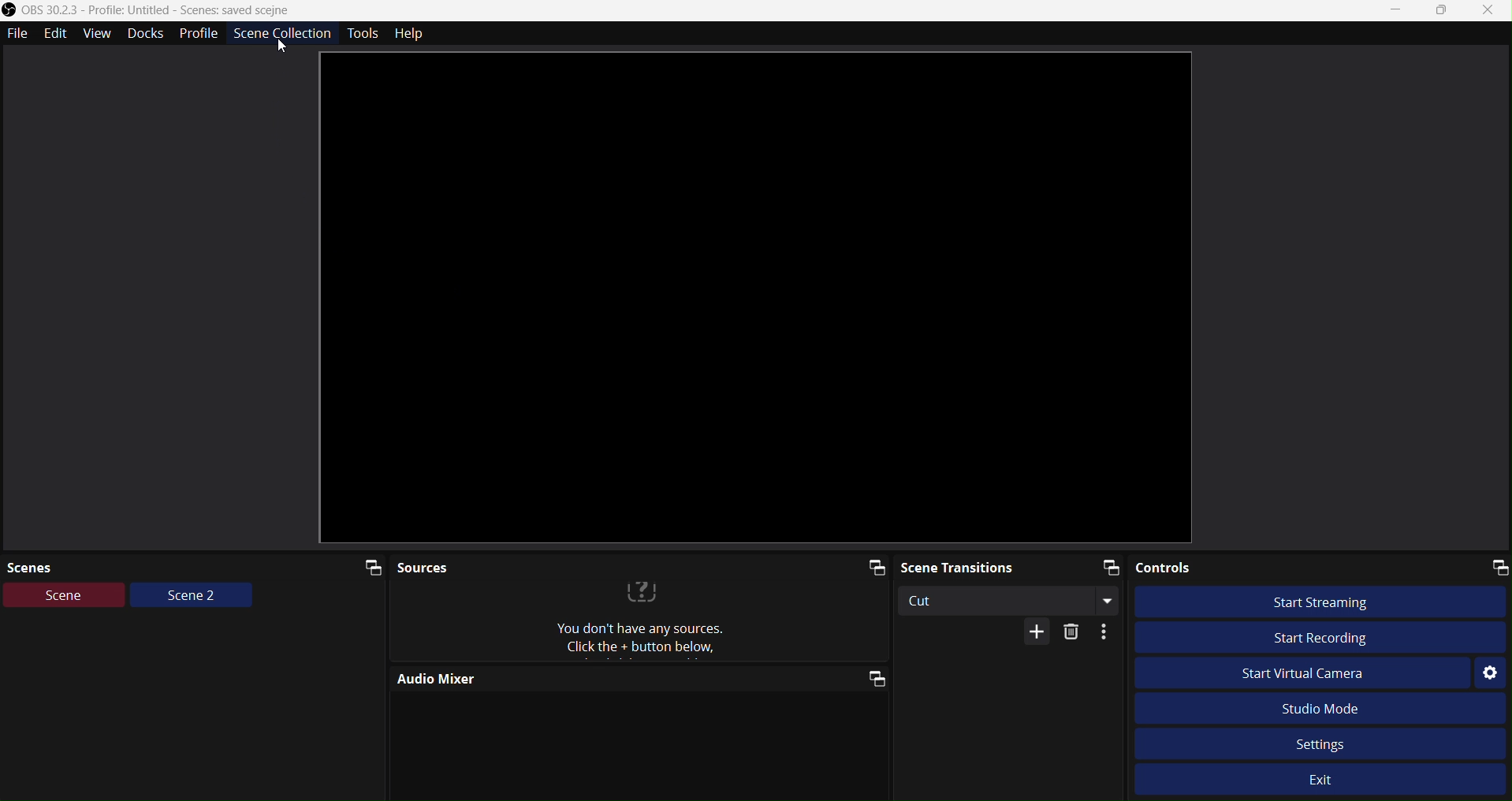 This screenshot has width=1512, height=801. What do you see at coordinates (1445, 13) in the screenshot?
I see `Box` at bounding box center [1445, 13].